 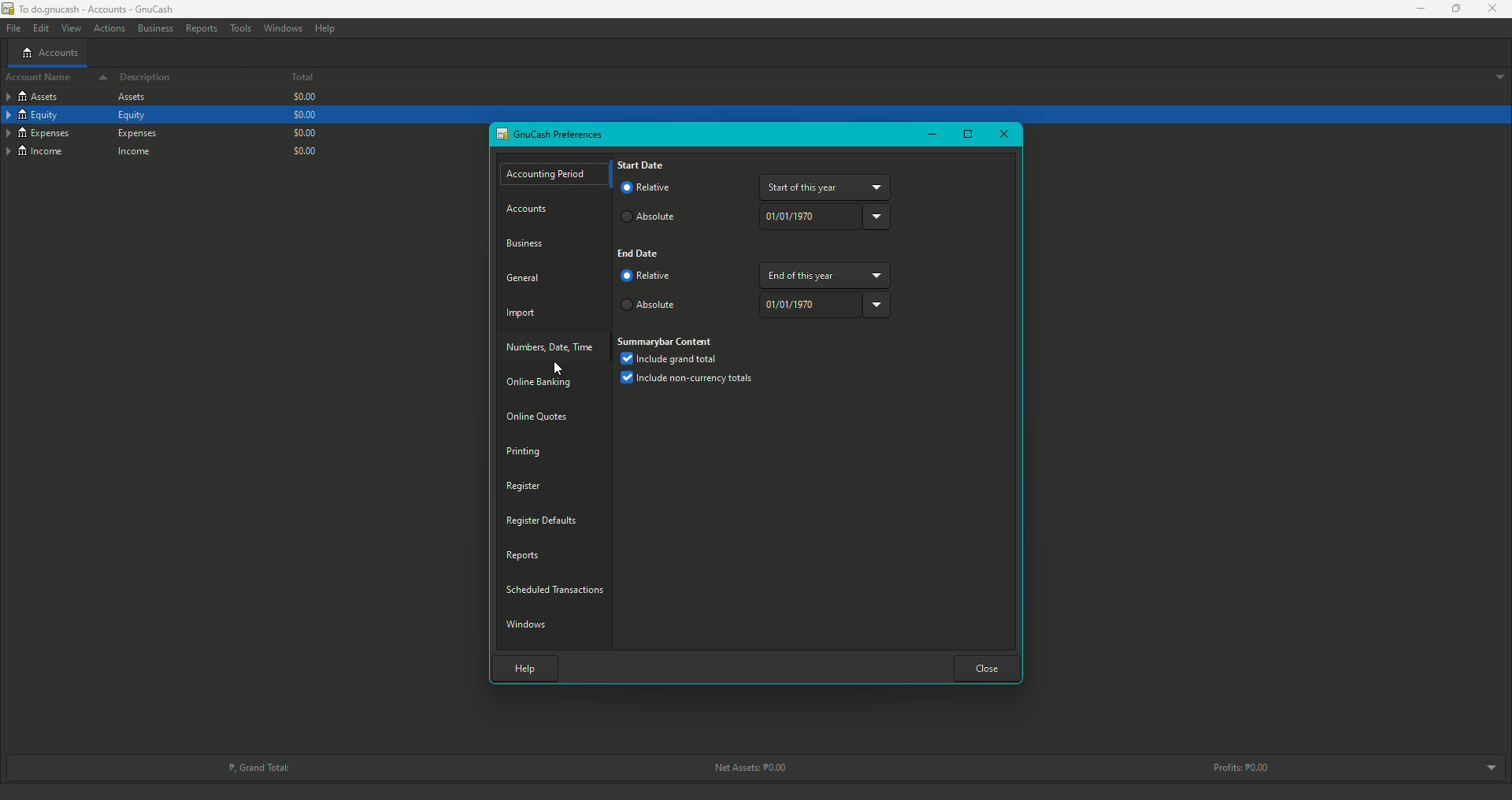 What do you see at coordinates (524, 554) in the screenshot?
I see `Report` at bounding box center [524, 554].